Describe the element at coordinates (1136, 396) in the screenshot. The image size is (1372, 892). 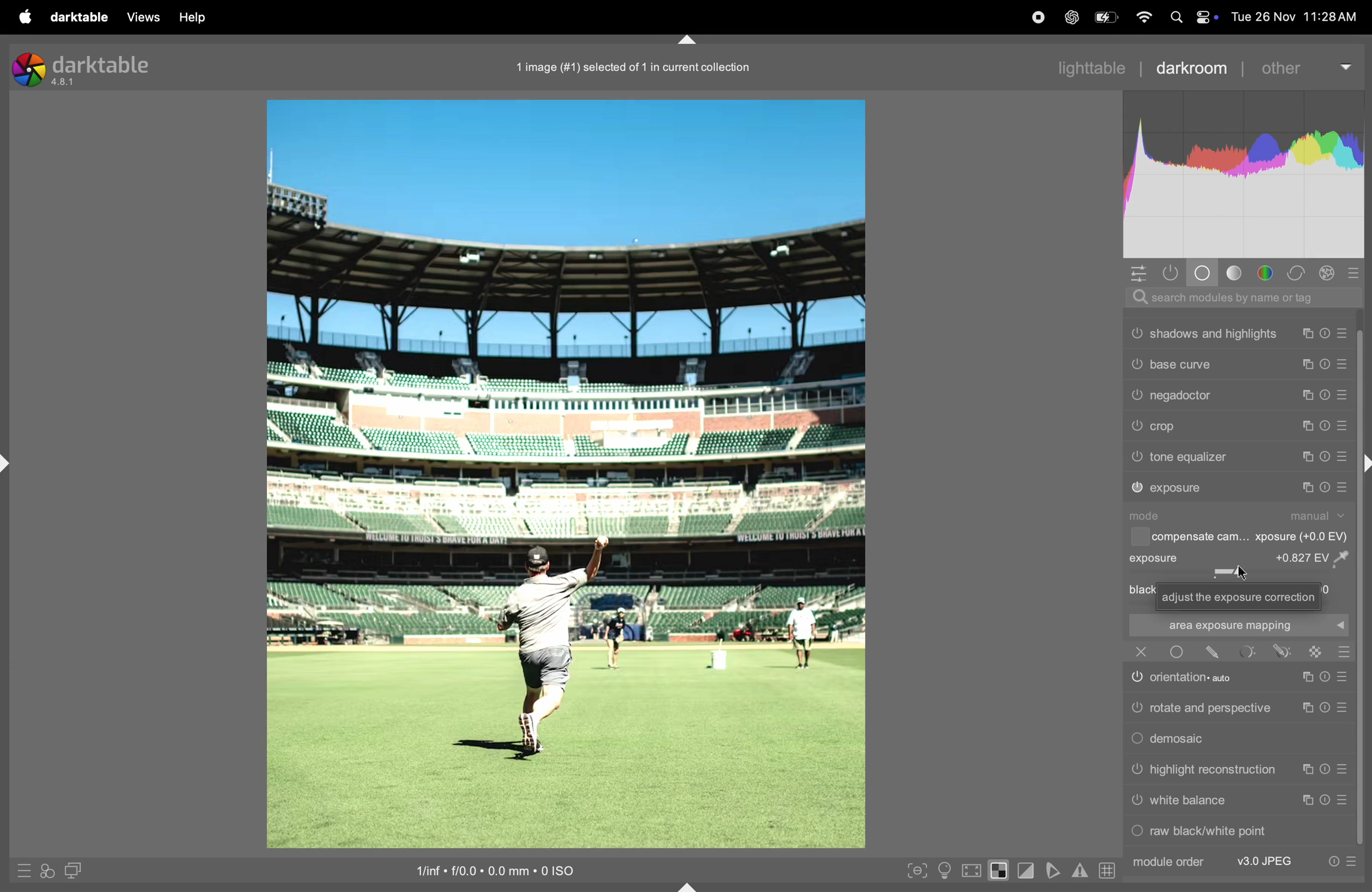
I see `Switch on or off` at that location.